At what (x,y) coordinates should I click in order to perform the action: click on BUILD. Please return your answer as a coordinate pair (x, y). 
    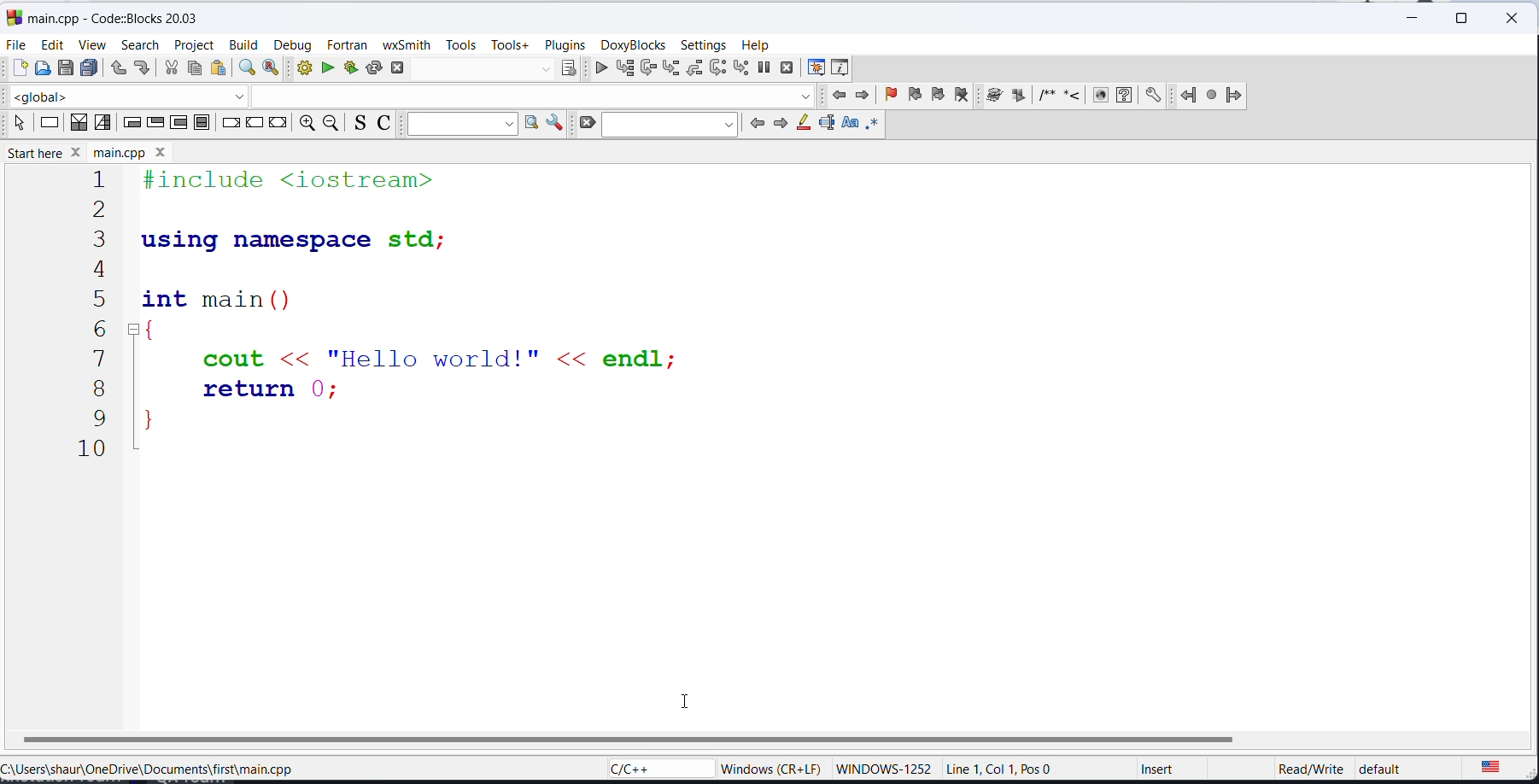
    Looking at the image, I should click on (303, 69).